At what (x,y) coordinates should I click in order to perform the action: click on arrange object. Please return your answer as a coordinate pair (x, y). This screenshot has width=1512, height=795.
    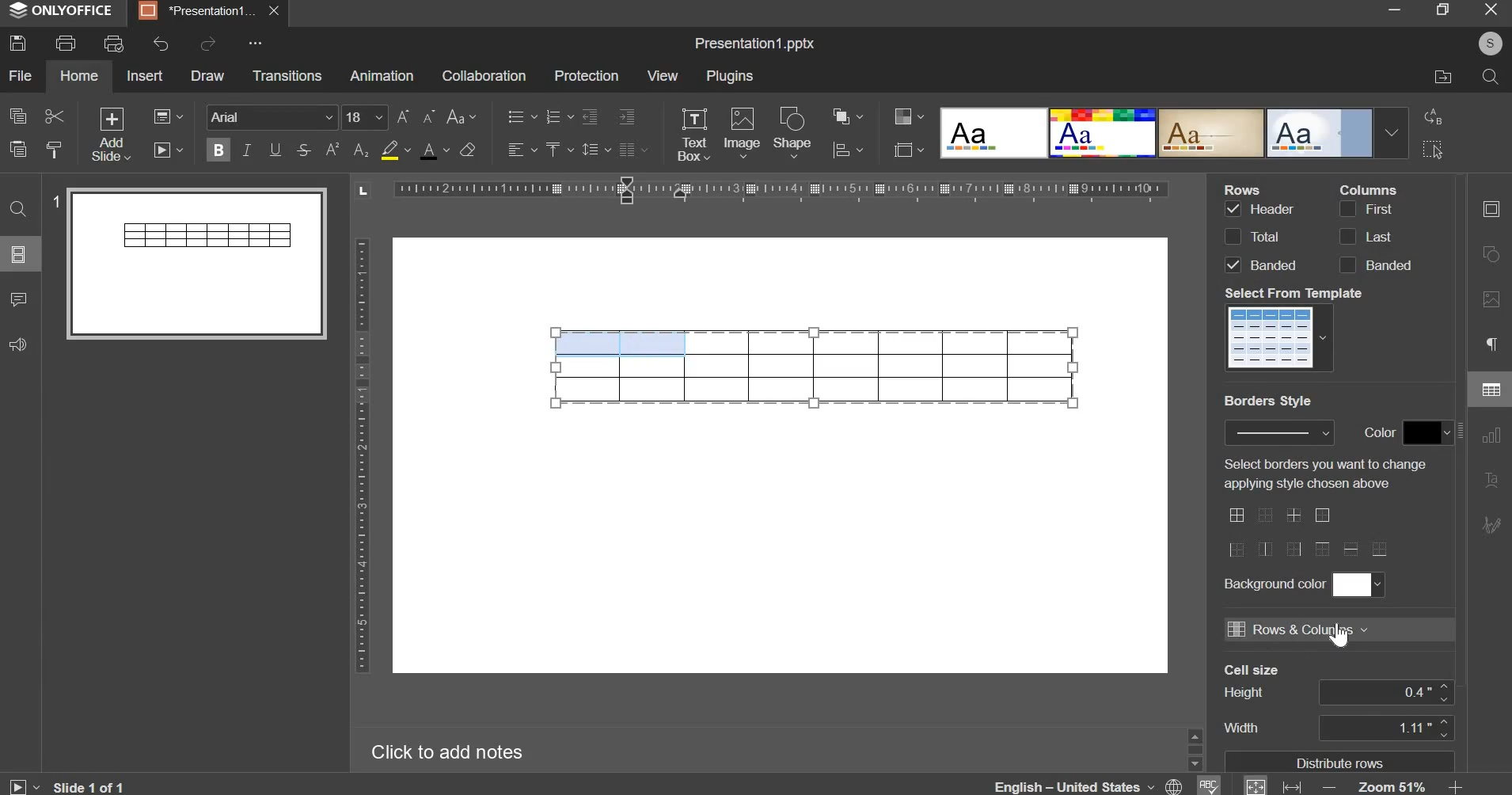
    Looking at the image, I should click on (847, 116).